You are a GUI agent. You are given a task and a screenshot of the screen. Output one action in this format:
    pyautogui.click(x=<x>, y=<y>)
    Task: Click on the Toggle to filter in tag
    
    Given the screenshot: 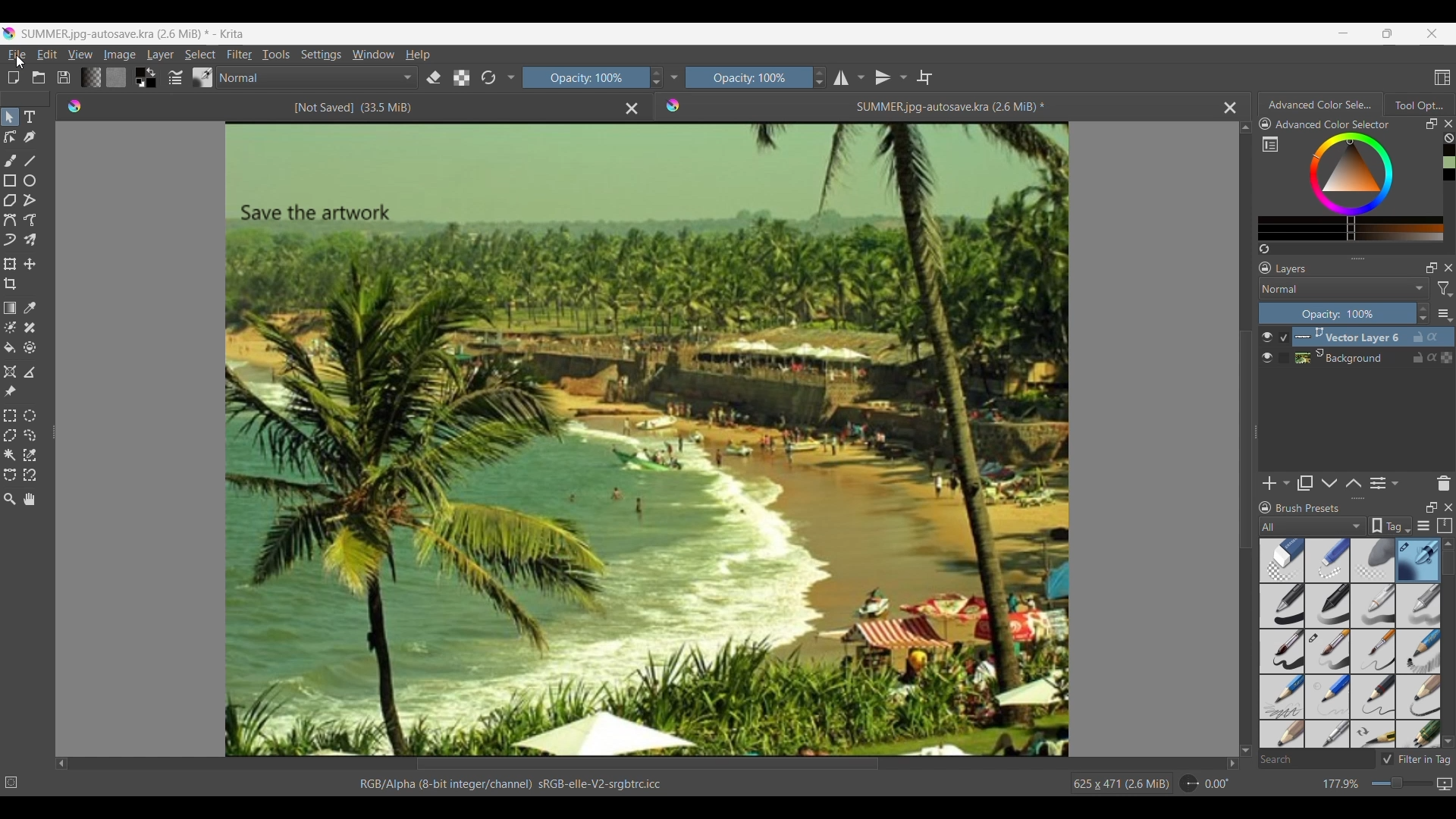 What is the action you would take?
    pyautogui.click(x=1416, y=759)
    